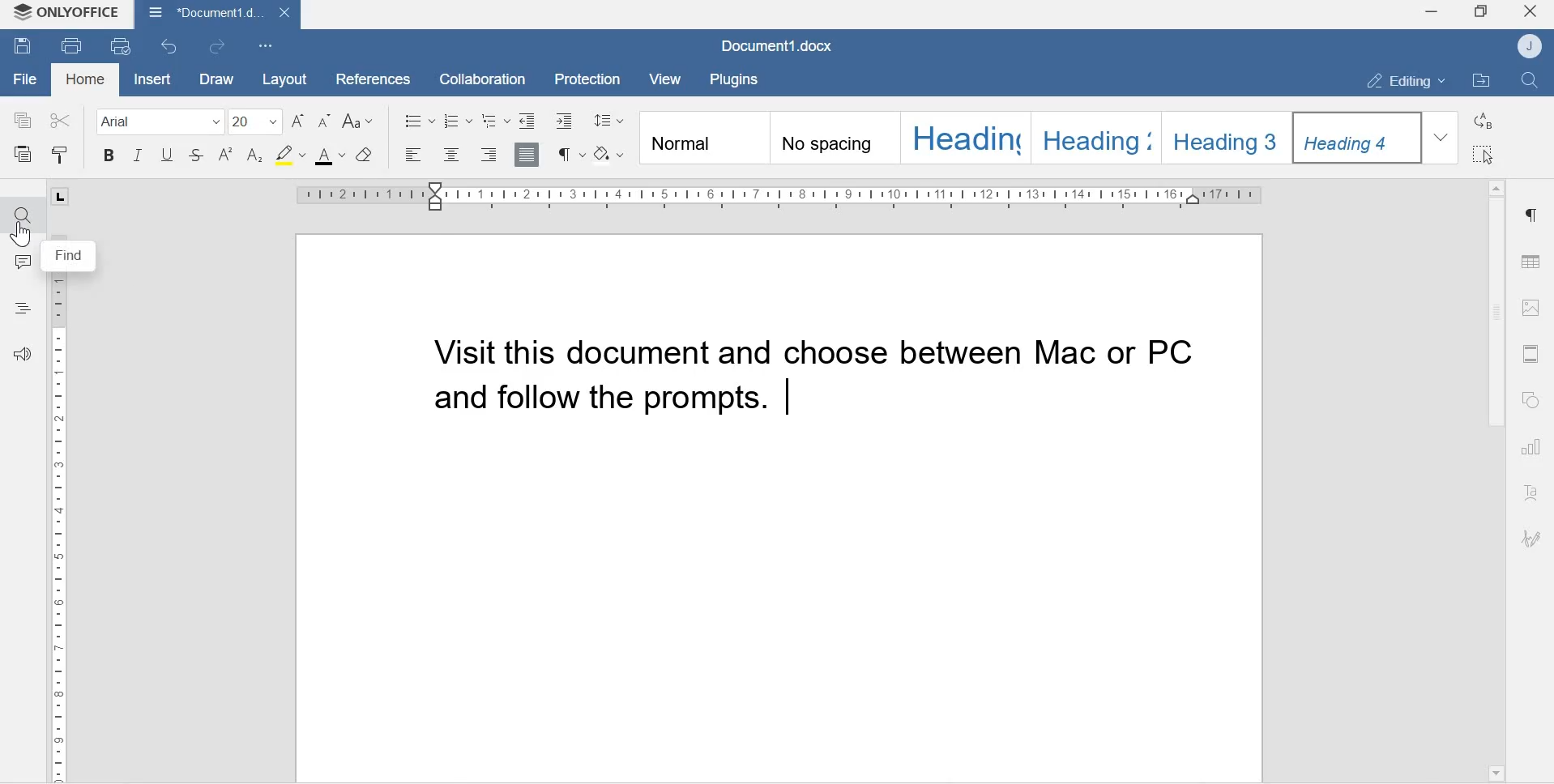  What do you see at coordinates (612, 152) in the screenshot?
I see `Shading` at bounding box center [612, 152].